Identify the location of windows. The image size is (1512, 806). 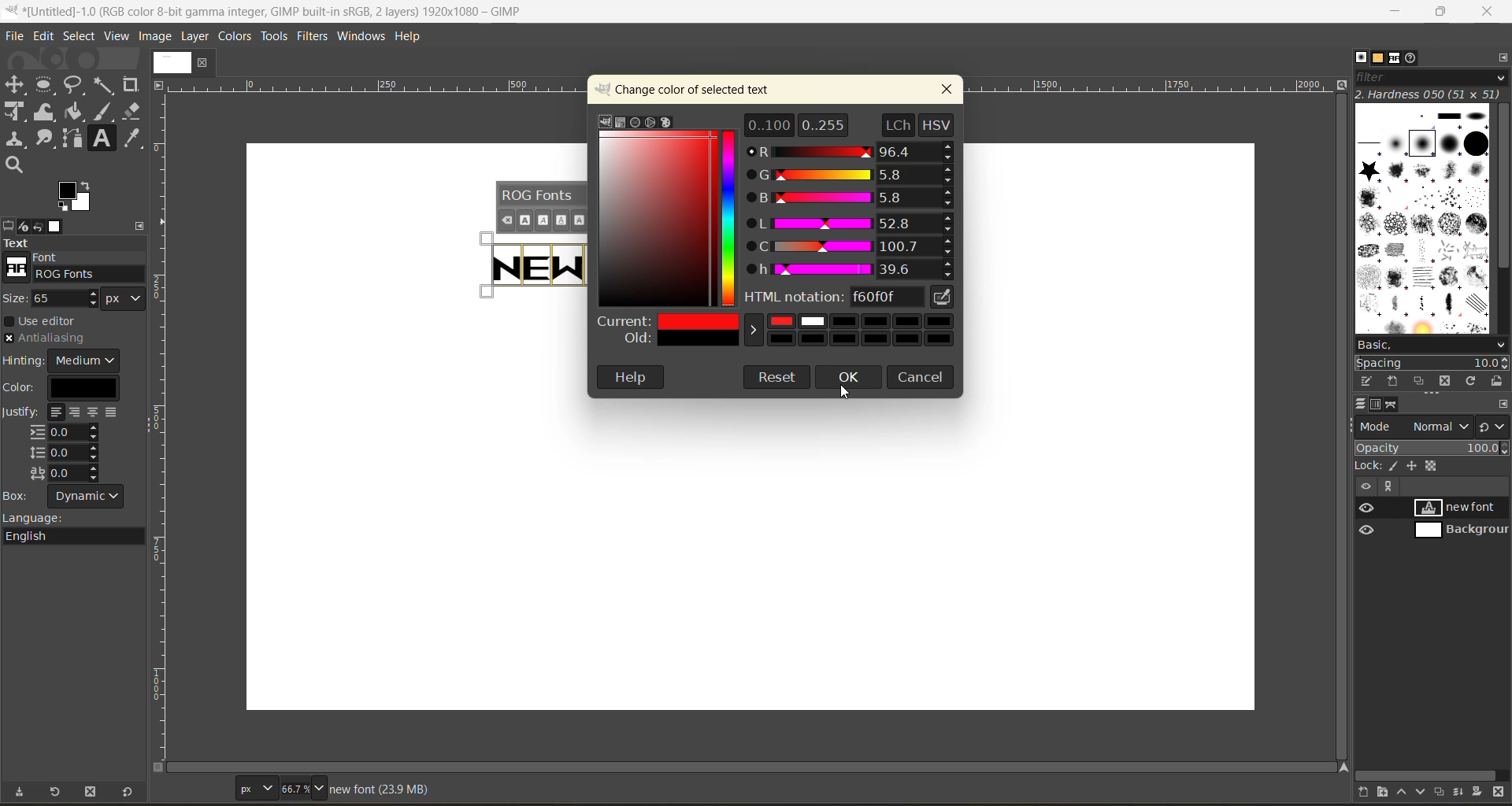
(360, 38).